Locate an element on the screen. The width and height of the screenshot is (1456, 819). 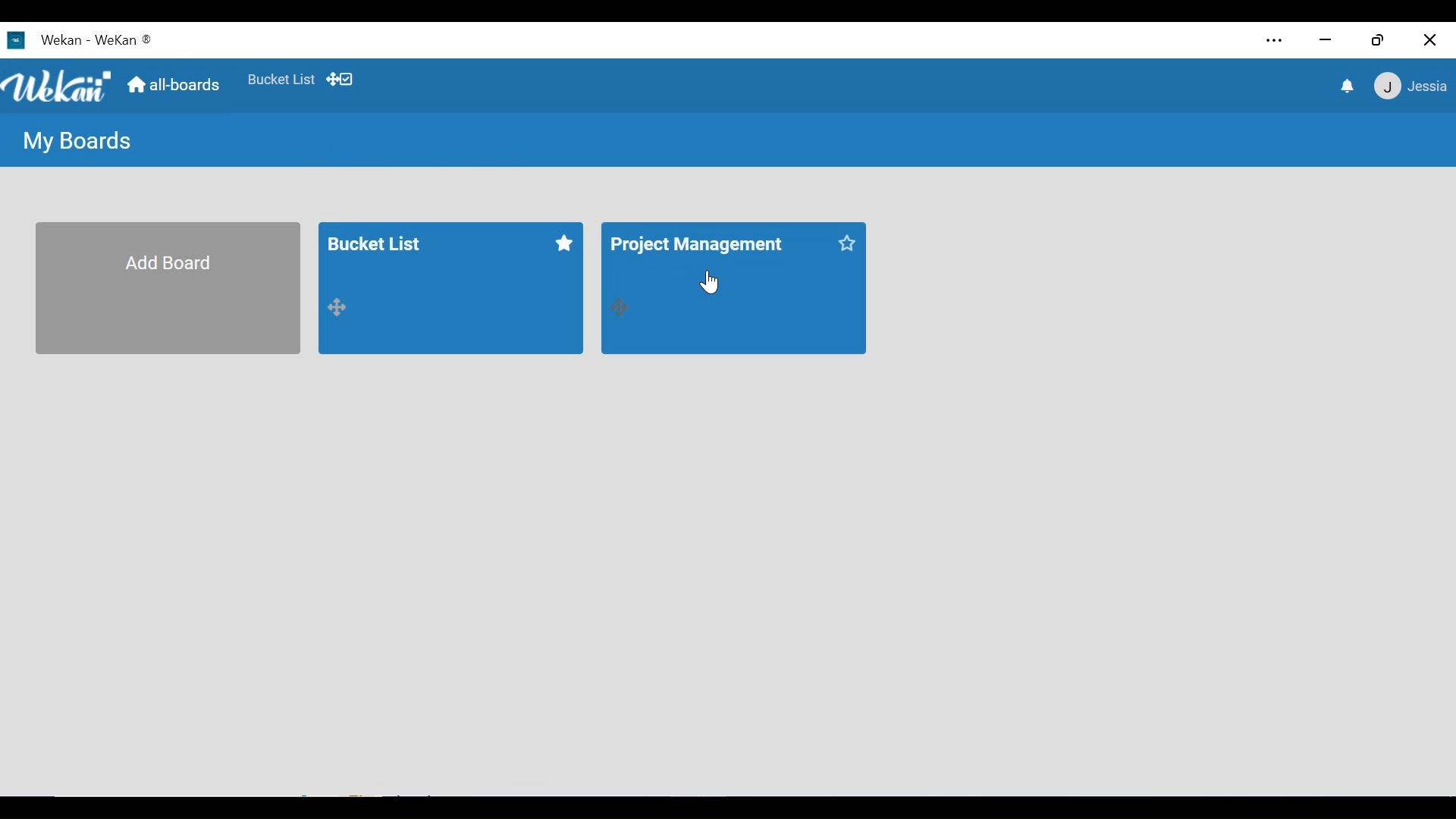
Bucket List is located at coordinates (385, 243).